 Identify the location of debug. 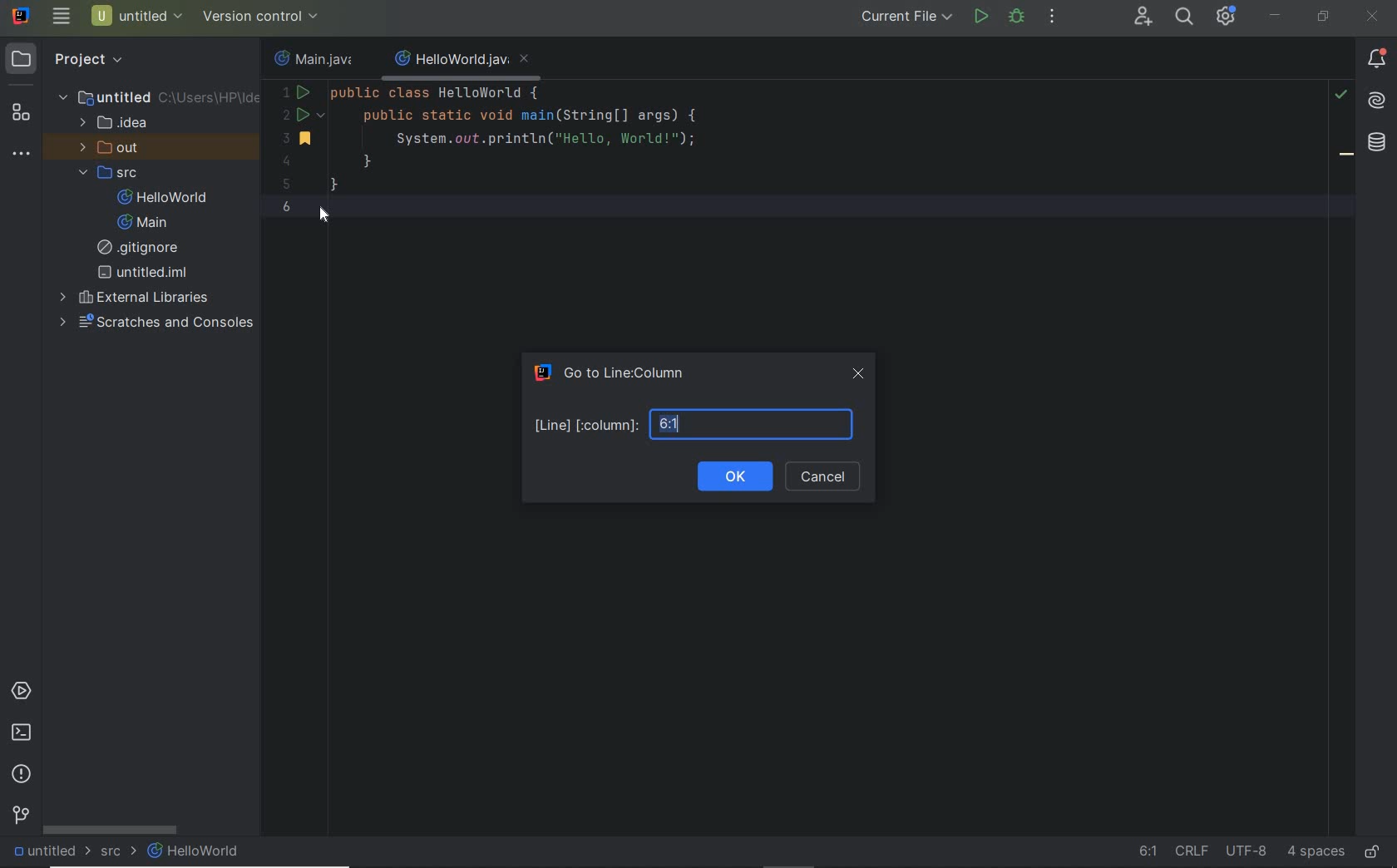
(1016, 16).